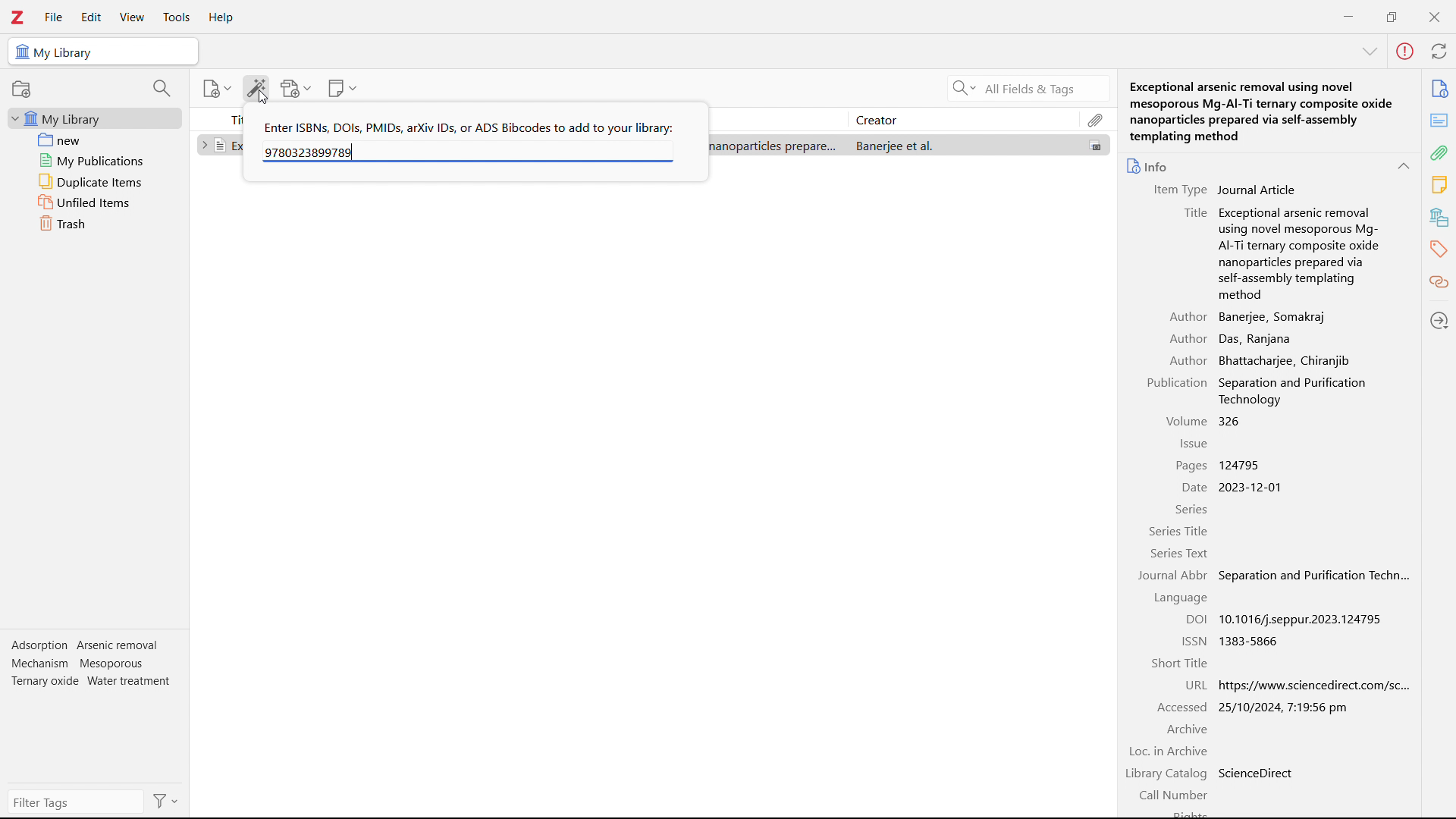 The width and height of the screenshot is (1456, 819). What do you see at coordinates (93, 667) in the screenshot?
I see `tags` at bounding box center [93, 667].